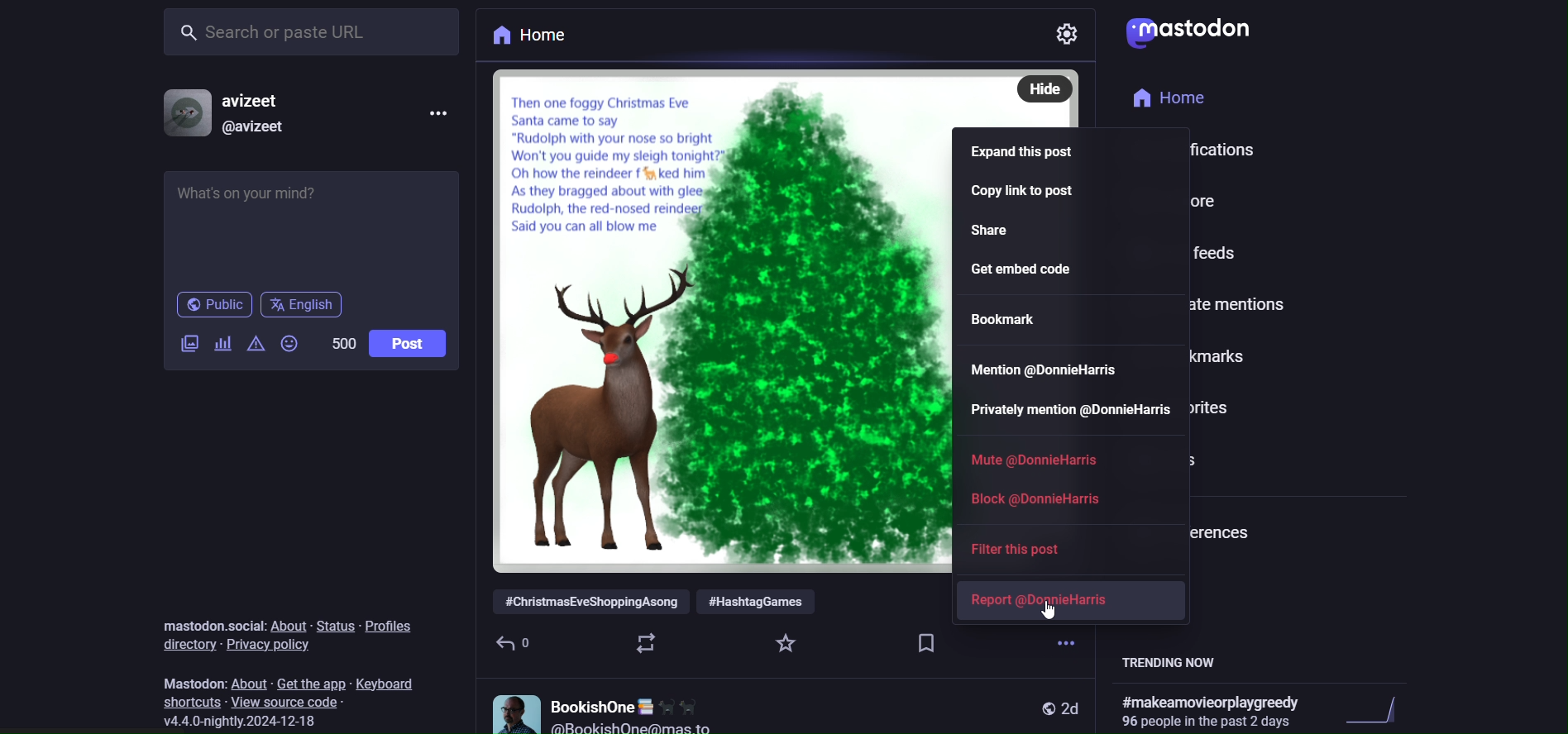 The height and width of the screenshot is (734, 1568). What do you see at coordinates (292, 702) in the screenshot?
I see `view source code` at bounding box center [292, 702].